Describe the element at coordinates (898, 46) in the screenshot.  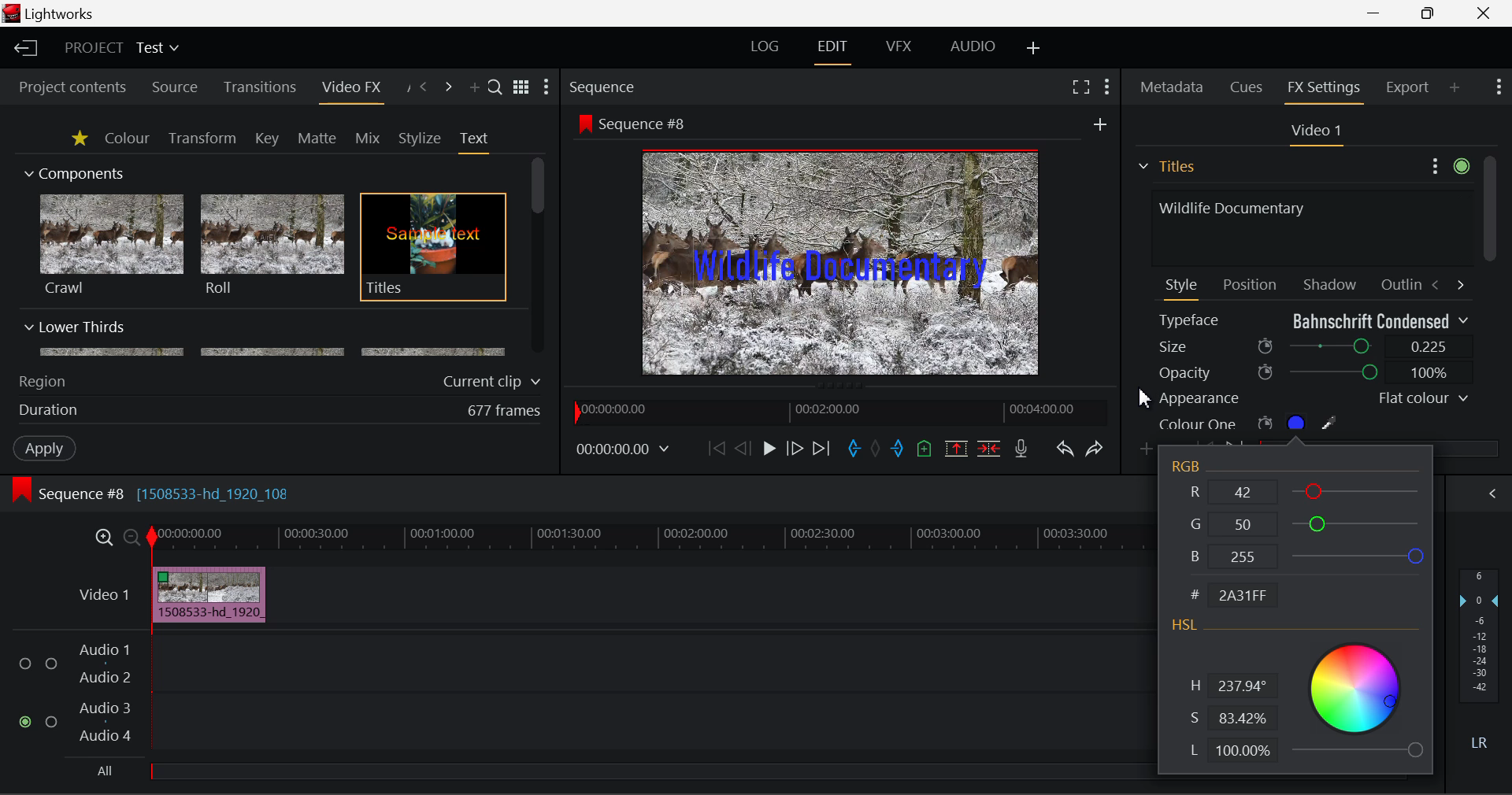
I see `VFX Layout` at that location.